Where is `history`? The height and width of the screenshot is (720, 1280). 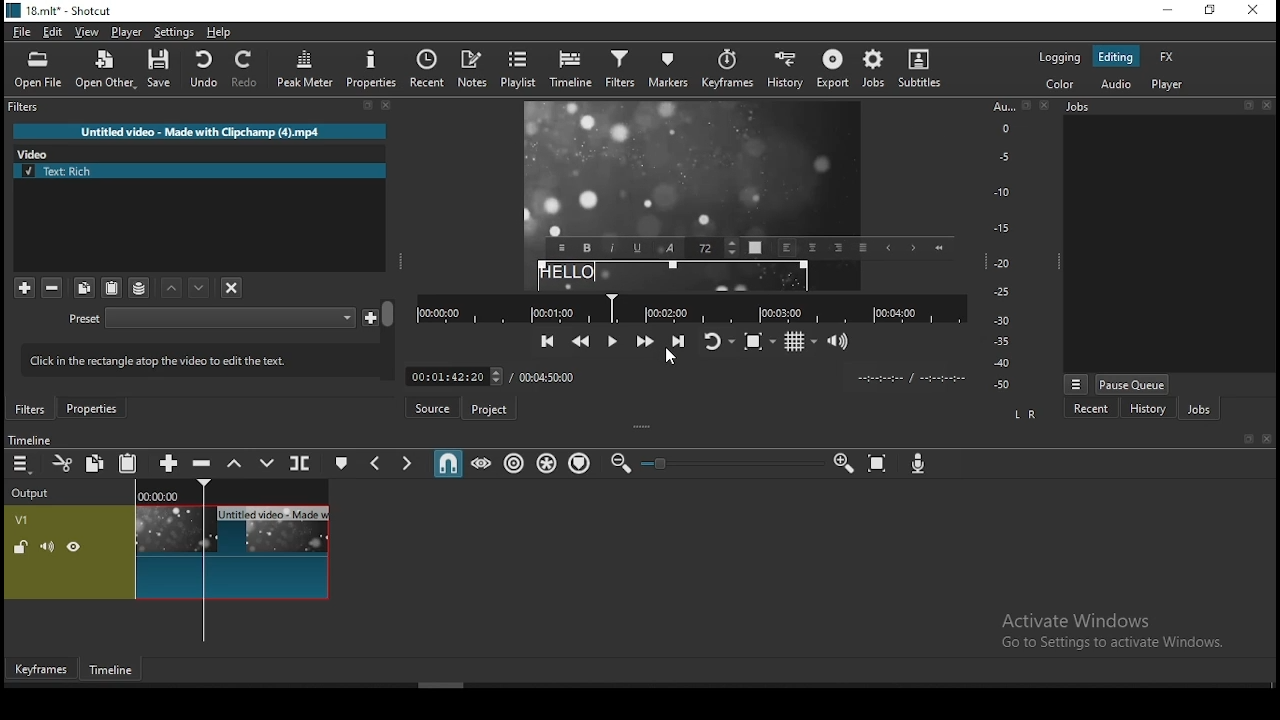 history is located at coordinates (1147, 408).